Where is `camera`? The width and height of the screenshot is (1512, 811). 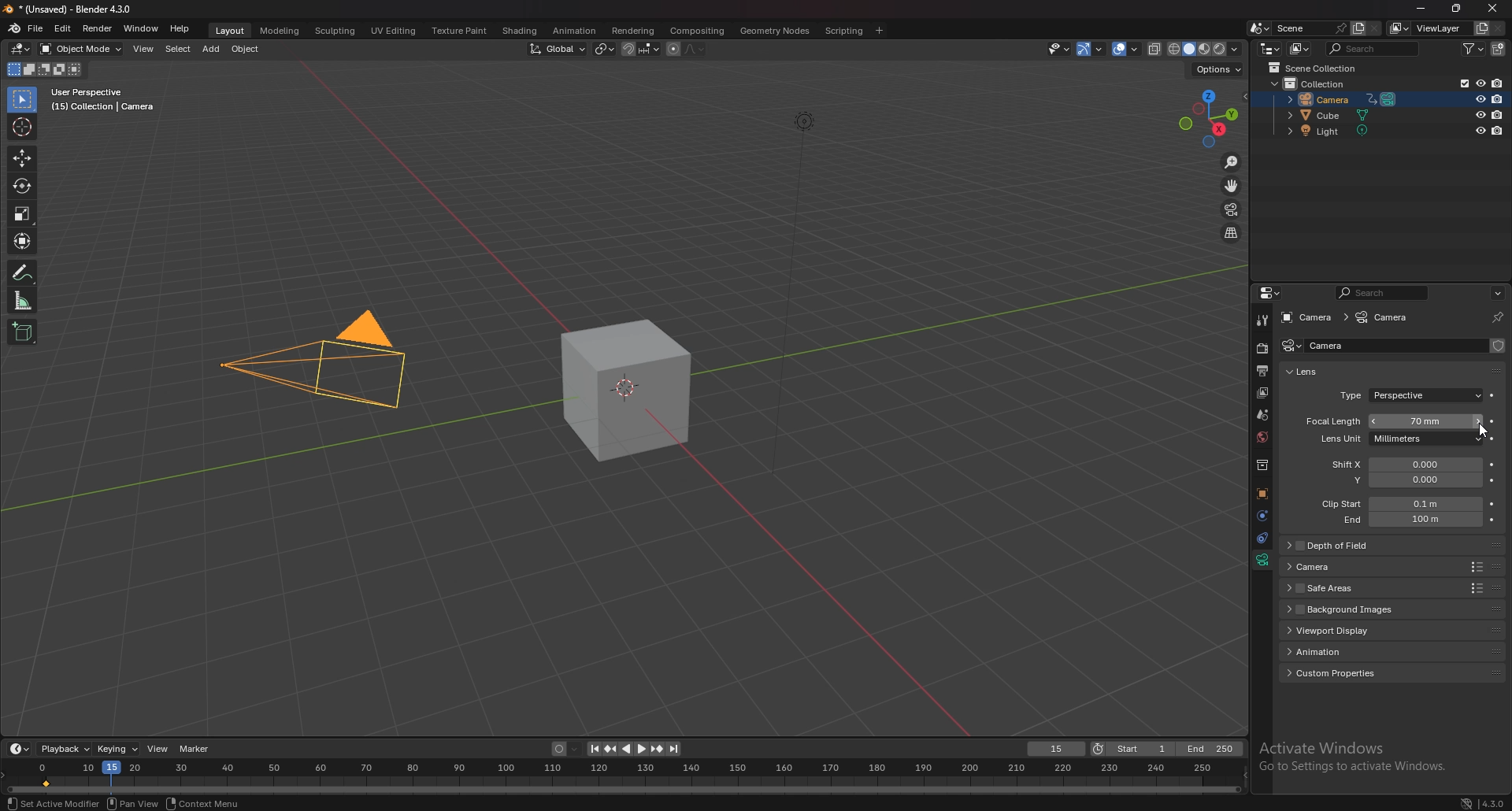 camera is located at coordinates (1351, 566).